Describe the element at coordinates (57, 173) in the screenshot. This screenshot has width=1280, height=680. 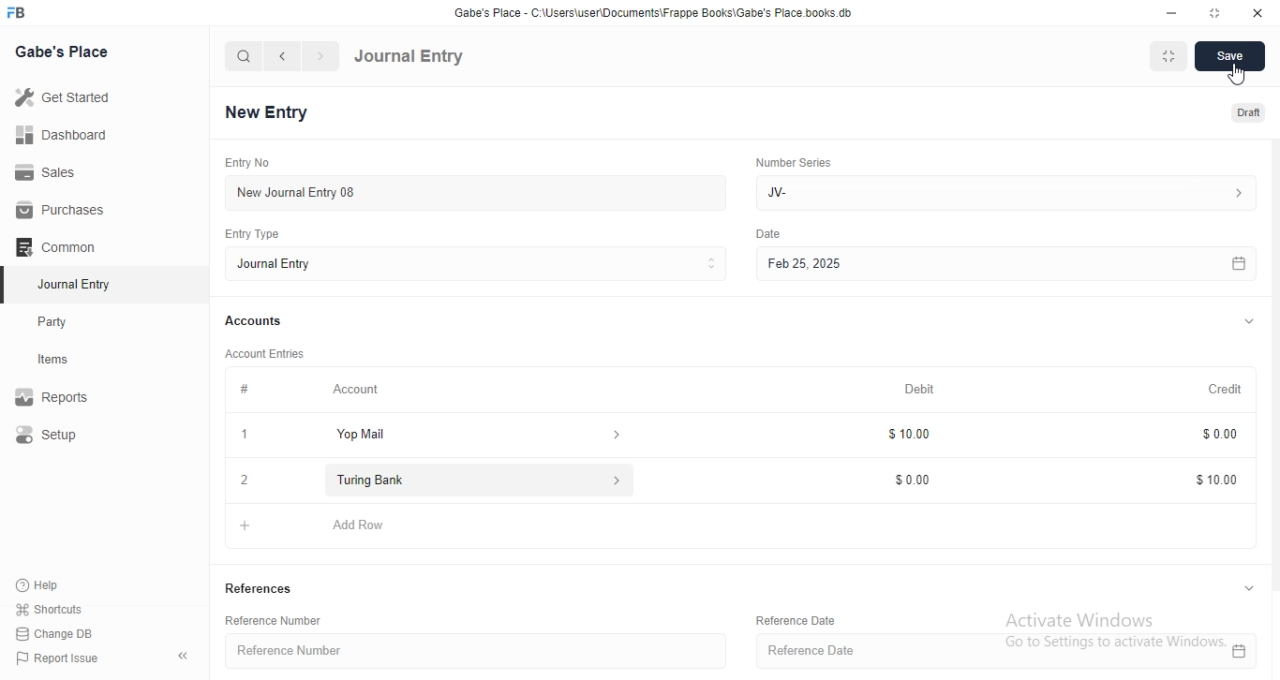
I see `Sales` at that location.